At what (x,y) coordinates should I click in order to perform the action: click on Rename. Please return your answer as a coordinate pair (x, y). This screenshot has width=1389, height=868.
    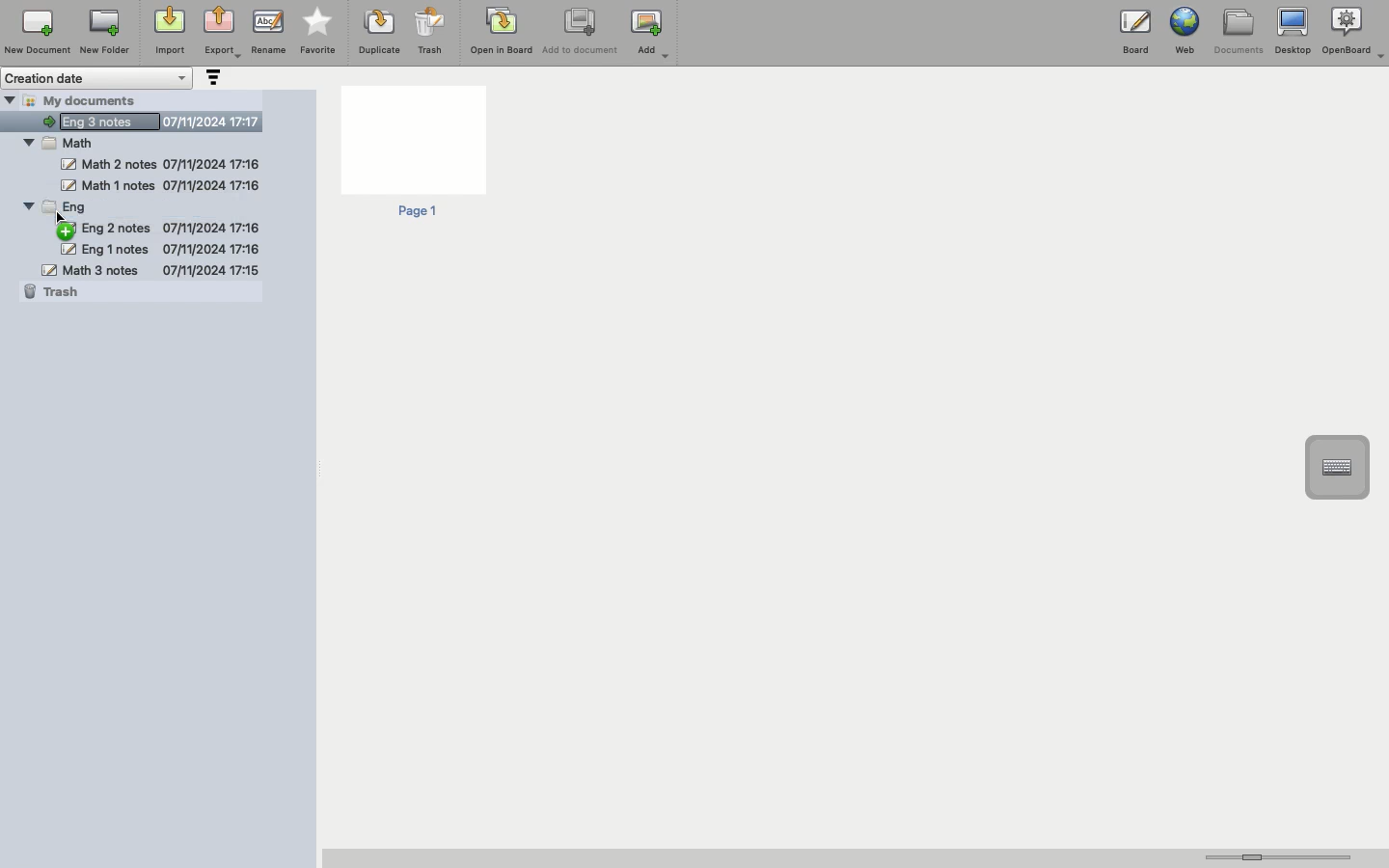
    Looking at the image, I should click on (268, 31).